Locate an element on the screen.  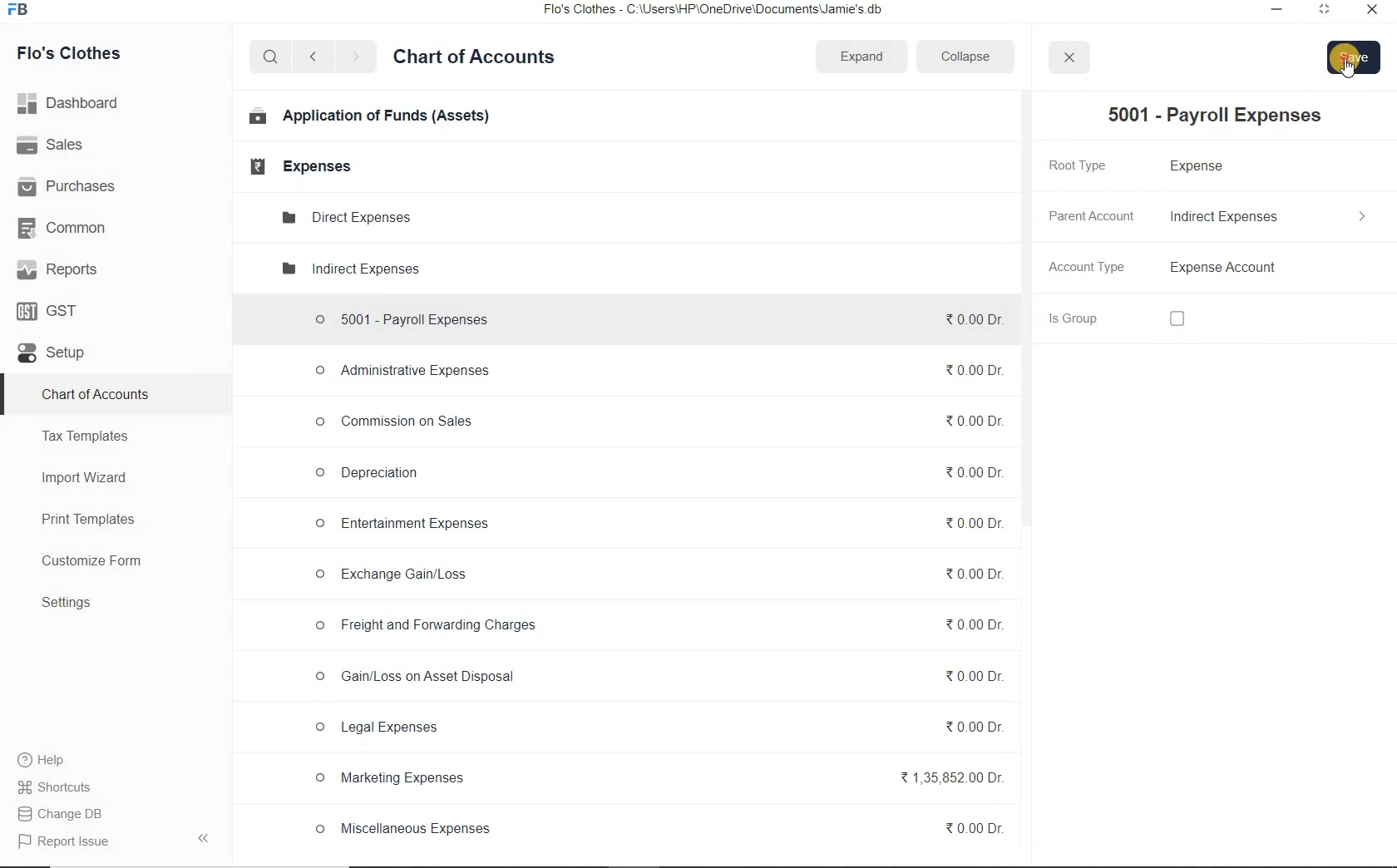
Indirect Expenses is located at coordinates (1271, 217).